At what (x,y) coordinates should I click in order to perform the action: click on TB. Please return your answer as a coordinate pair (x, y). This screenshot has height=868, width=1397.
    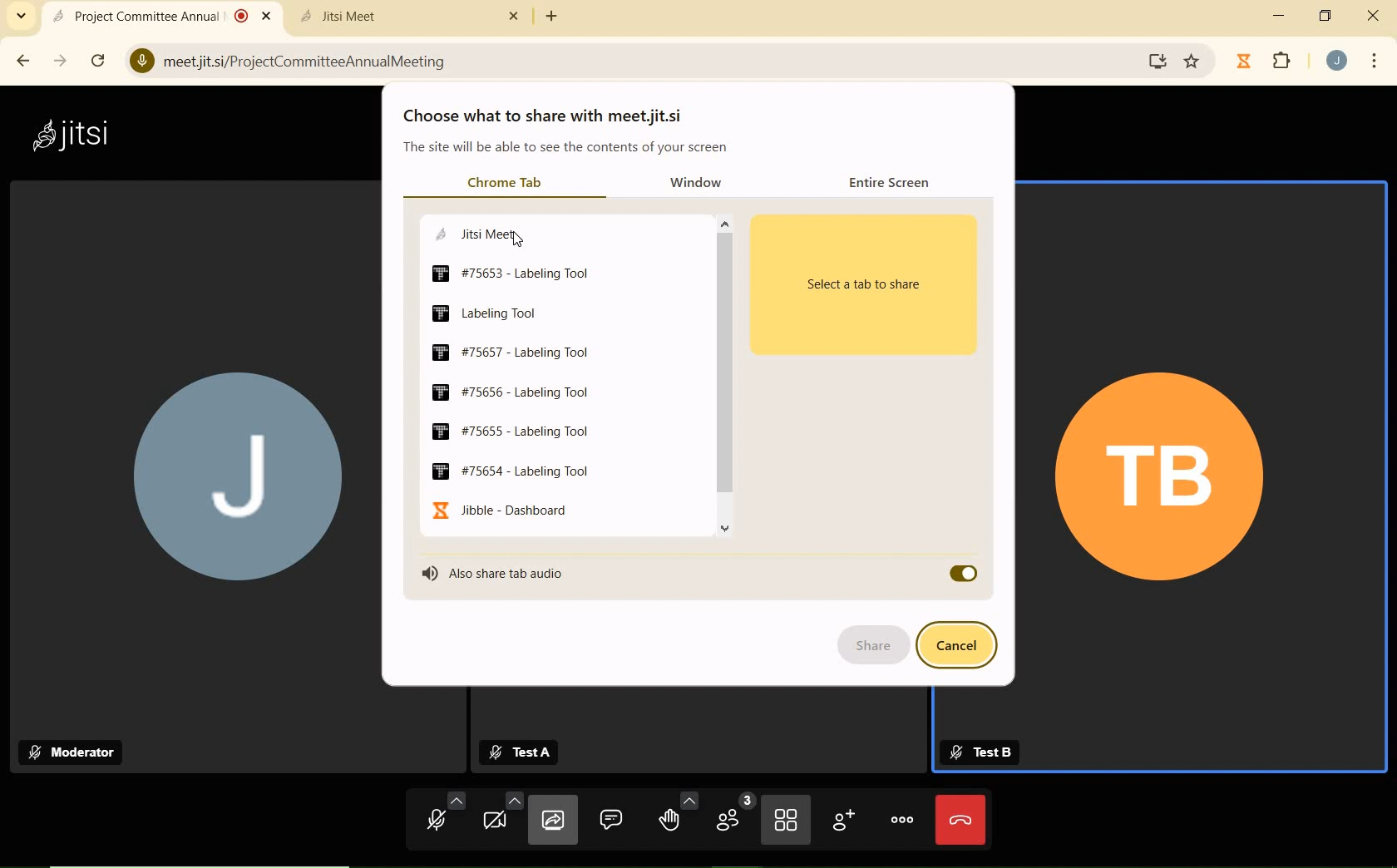
    Looking at the image, I should click on (1197, 479).